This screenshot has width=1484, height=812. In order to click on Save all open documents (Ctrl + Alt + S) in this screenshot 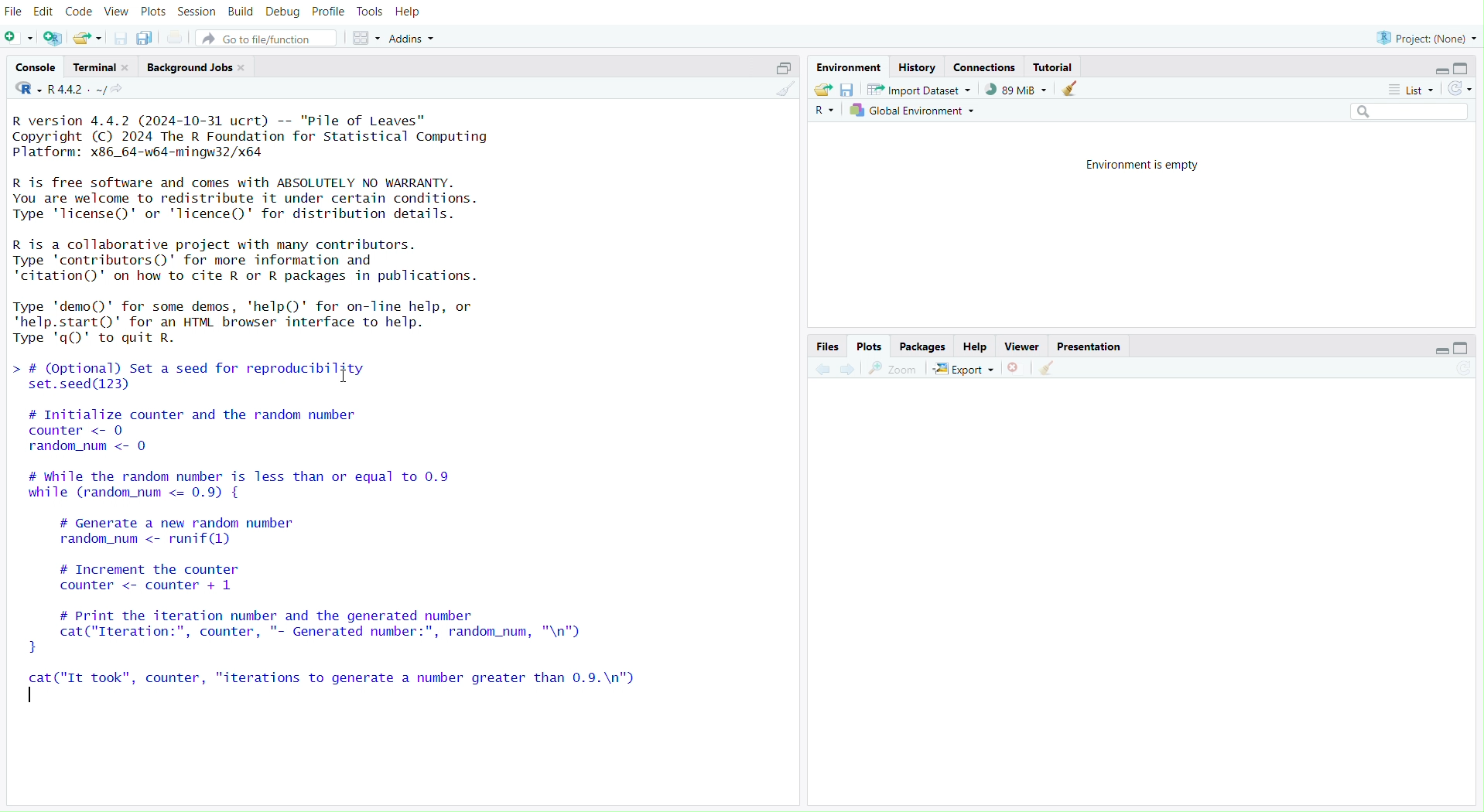, I will do `click(146, 37)`.